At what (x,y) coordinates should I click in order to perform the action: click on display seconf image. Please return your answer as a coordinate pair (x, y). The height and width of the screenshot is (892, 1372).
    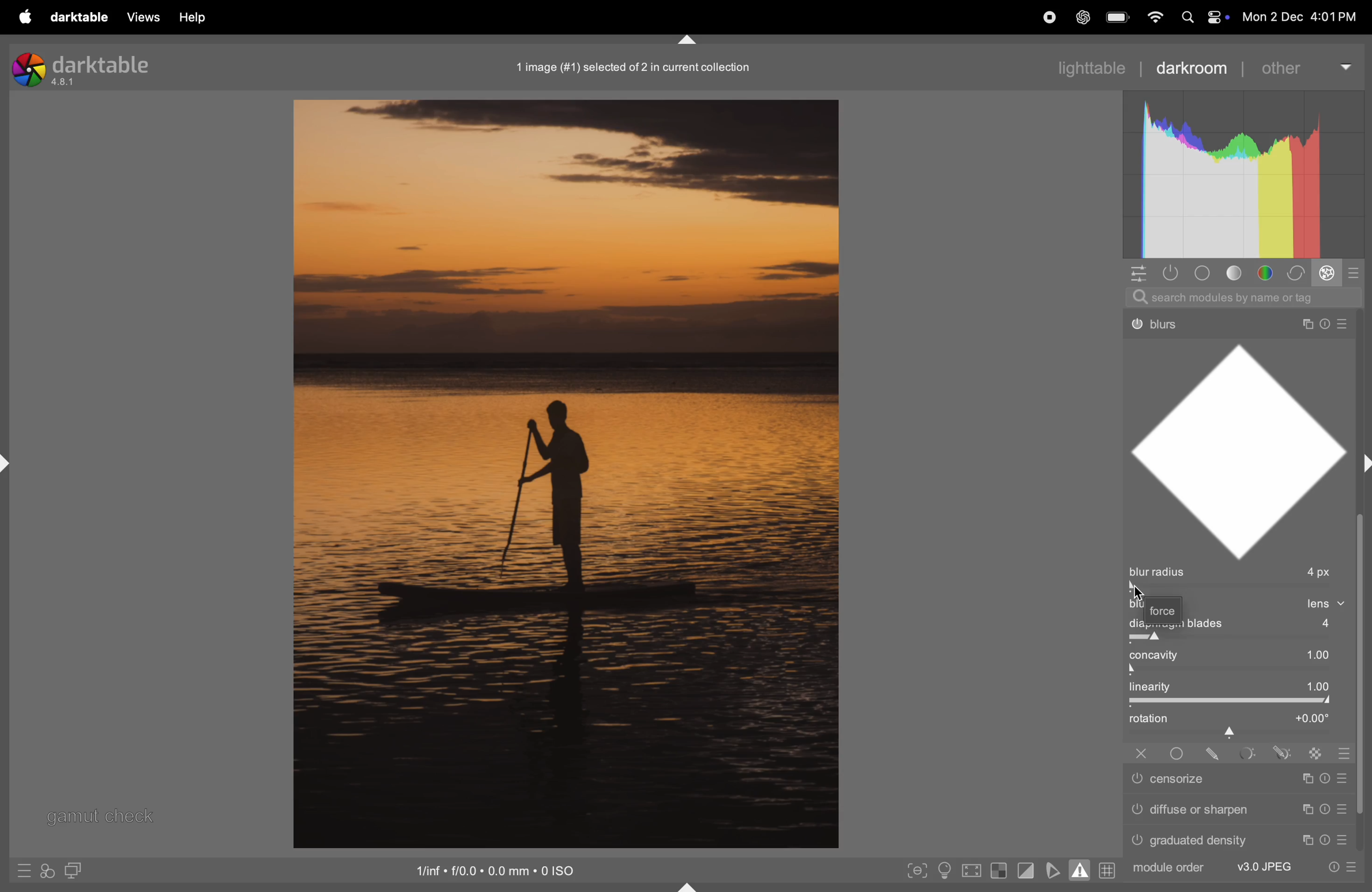
    Looking at the image, I should click on (76, 870).